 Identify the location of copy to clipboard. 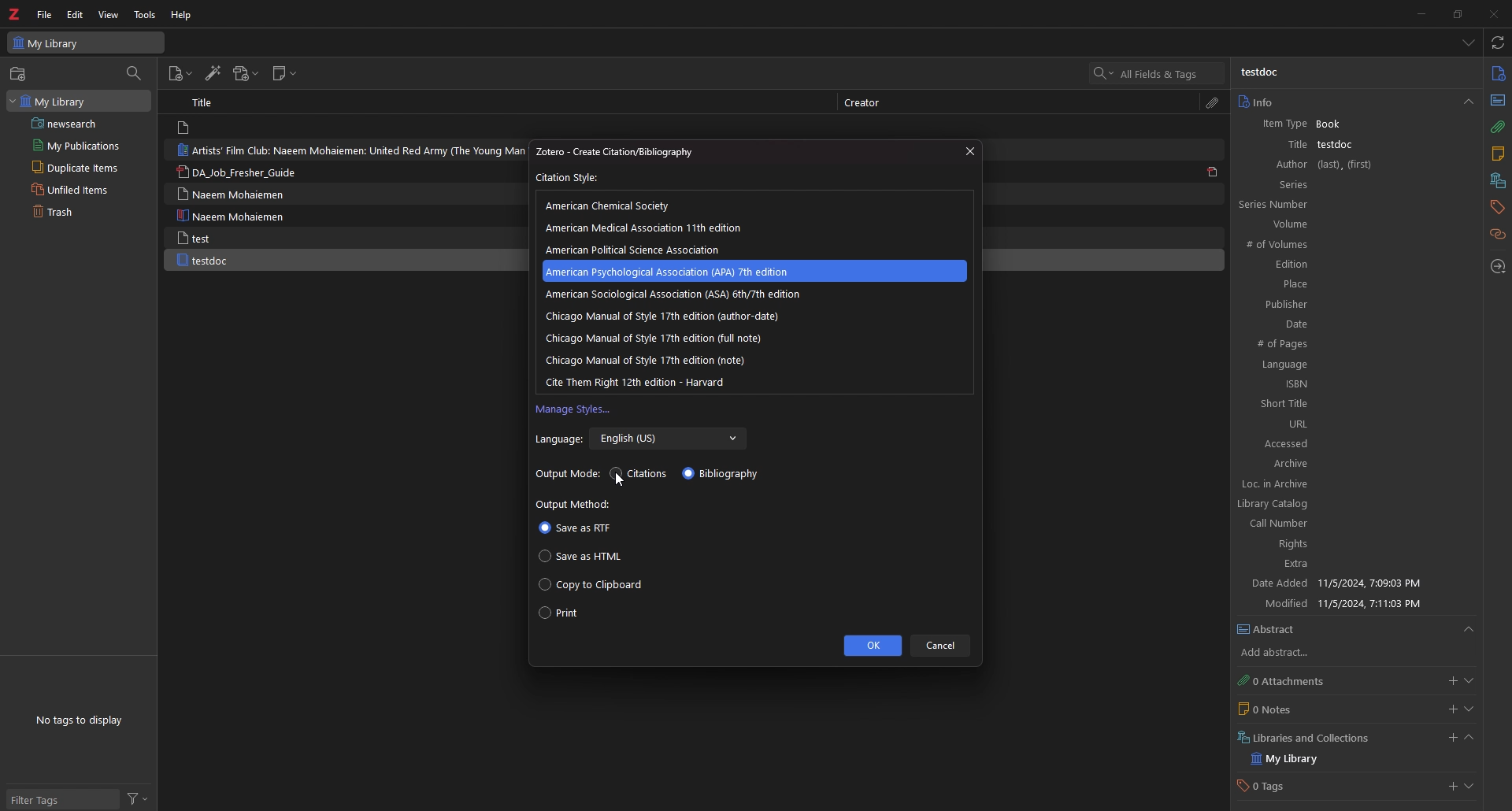
(591, 585).